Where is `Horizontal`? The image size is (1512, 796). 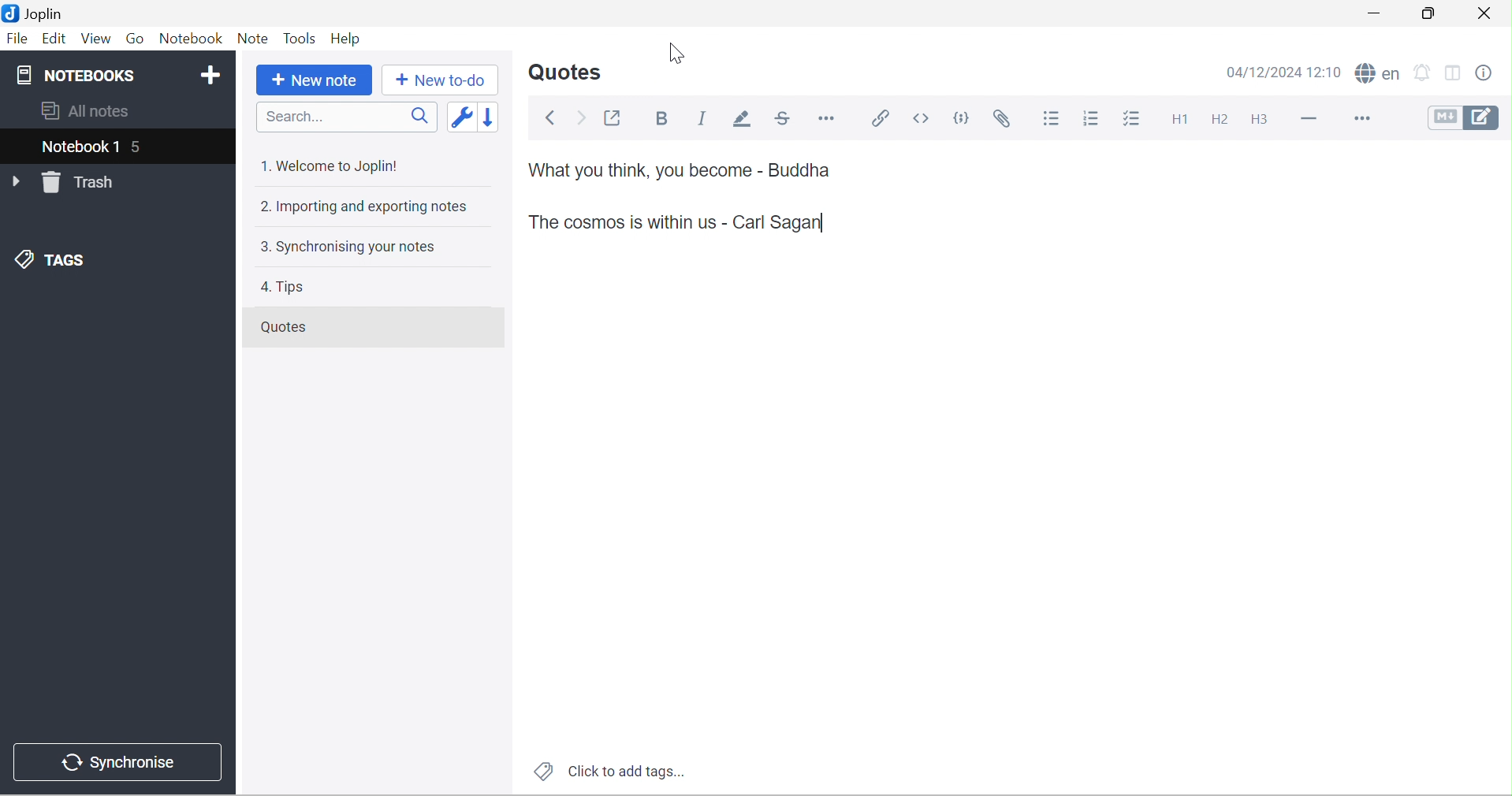
Horizontal is located at coordinates (830, 121).